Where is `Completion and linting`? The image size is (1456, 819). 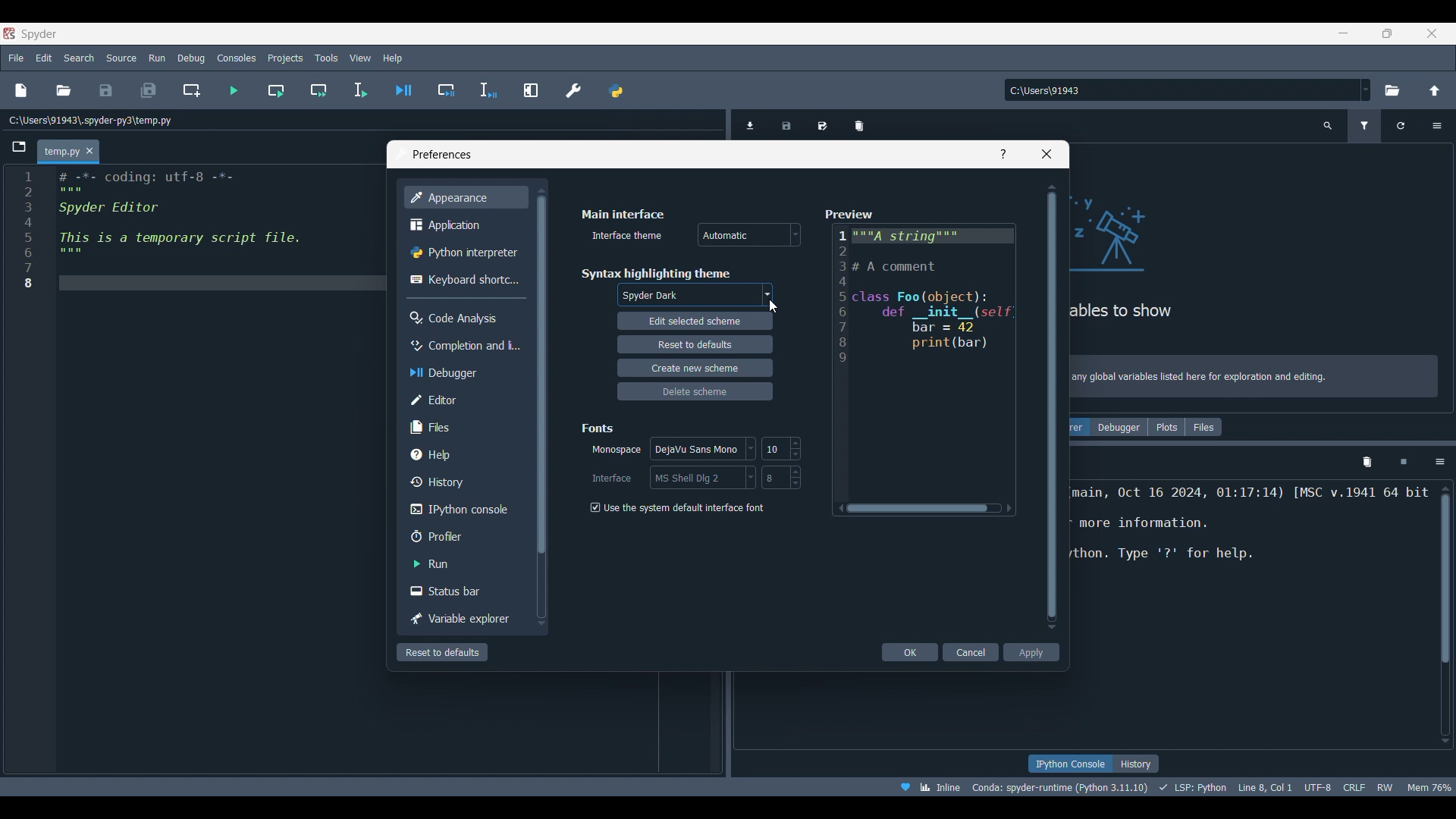 Completion and linting is located at coordinates (464, 346).